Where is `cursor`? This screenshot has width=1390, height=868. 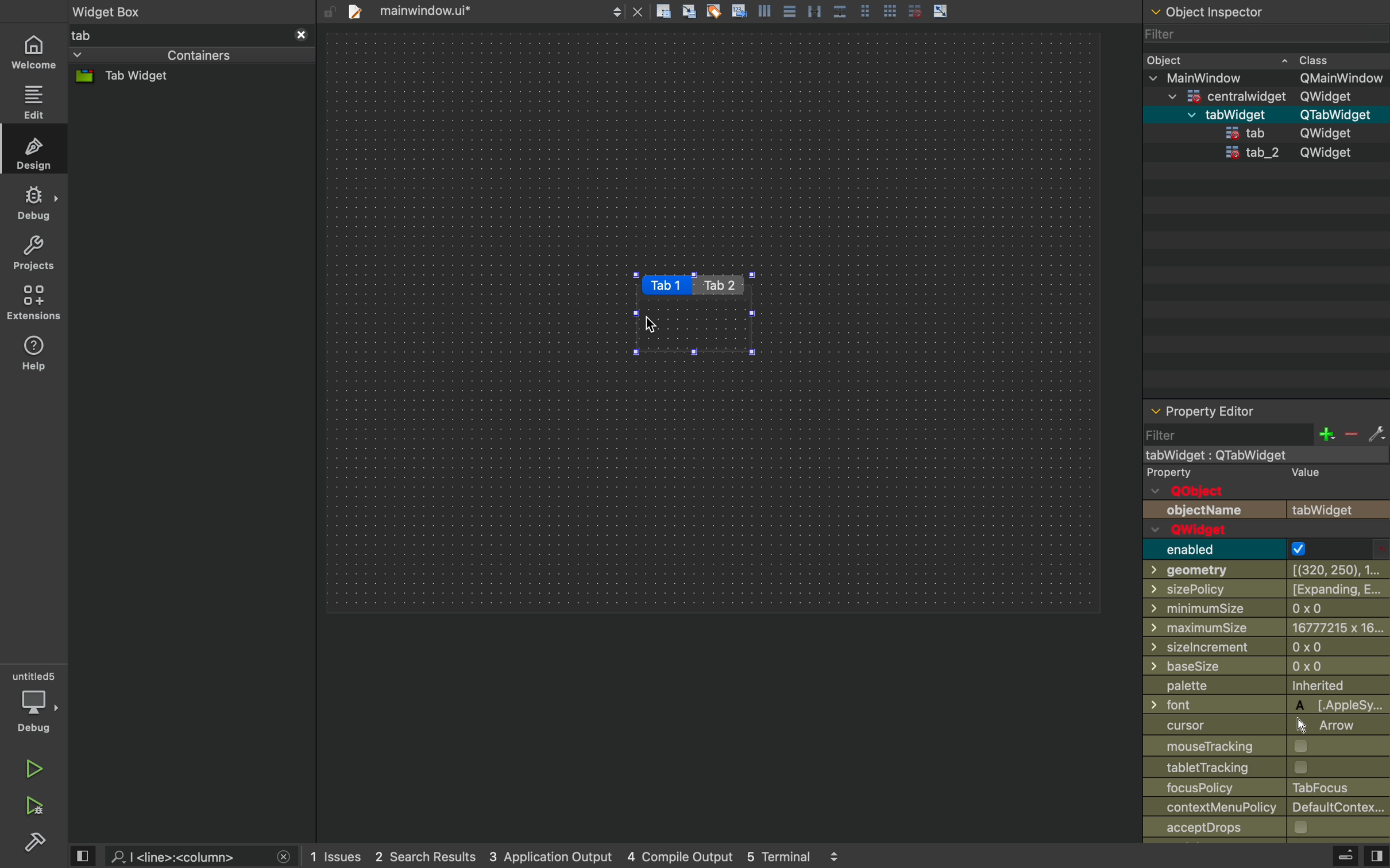
cursor is located at coordinates (652, 325).